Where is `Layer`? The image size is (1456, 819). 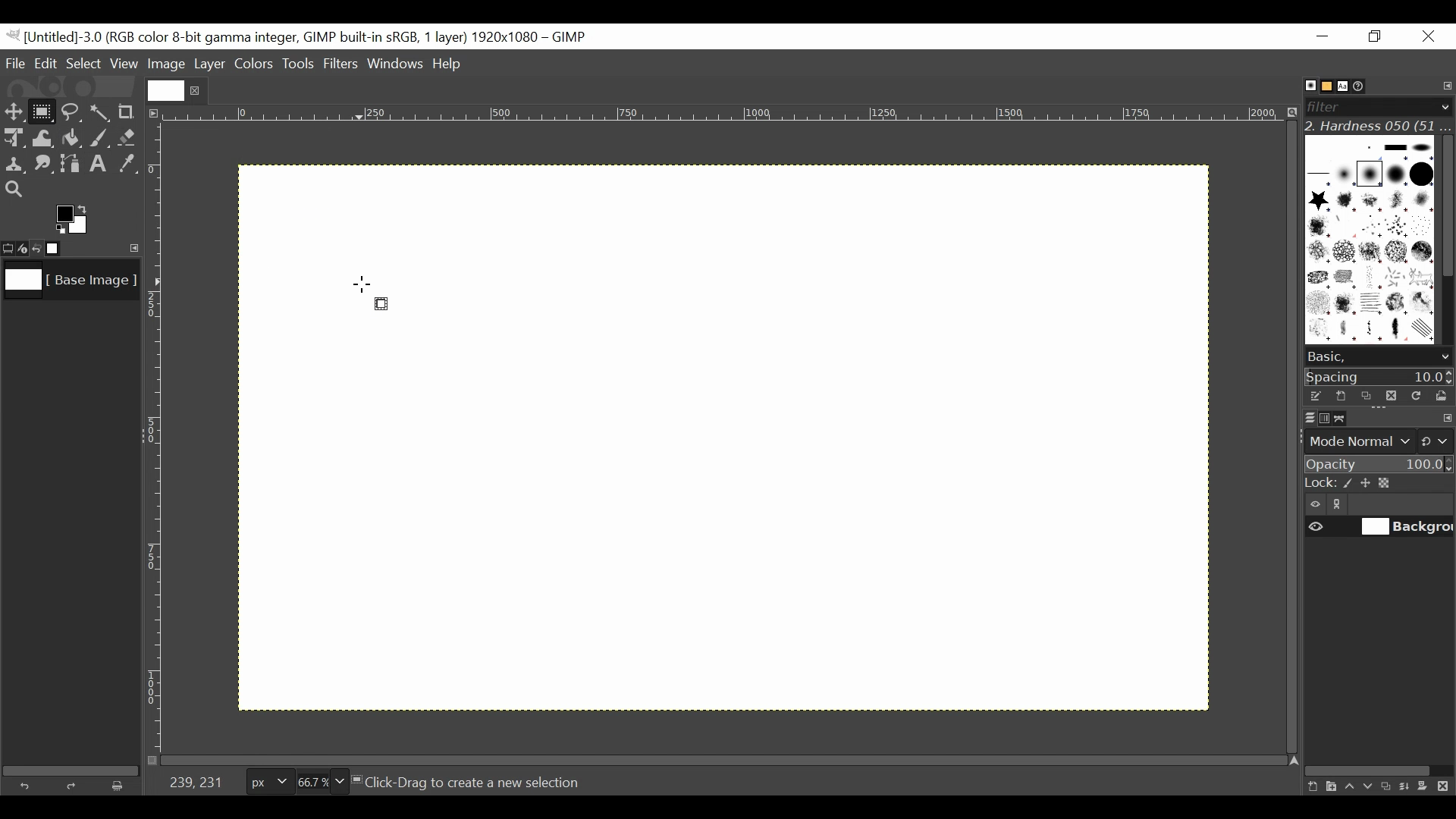 Layer is located at coordinates (209, 63).